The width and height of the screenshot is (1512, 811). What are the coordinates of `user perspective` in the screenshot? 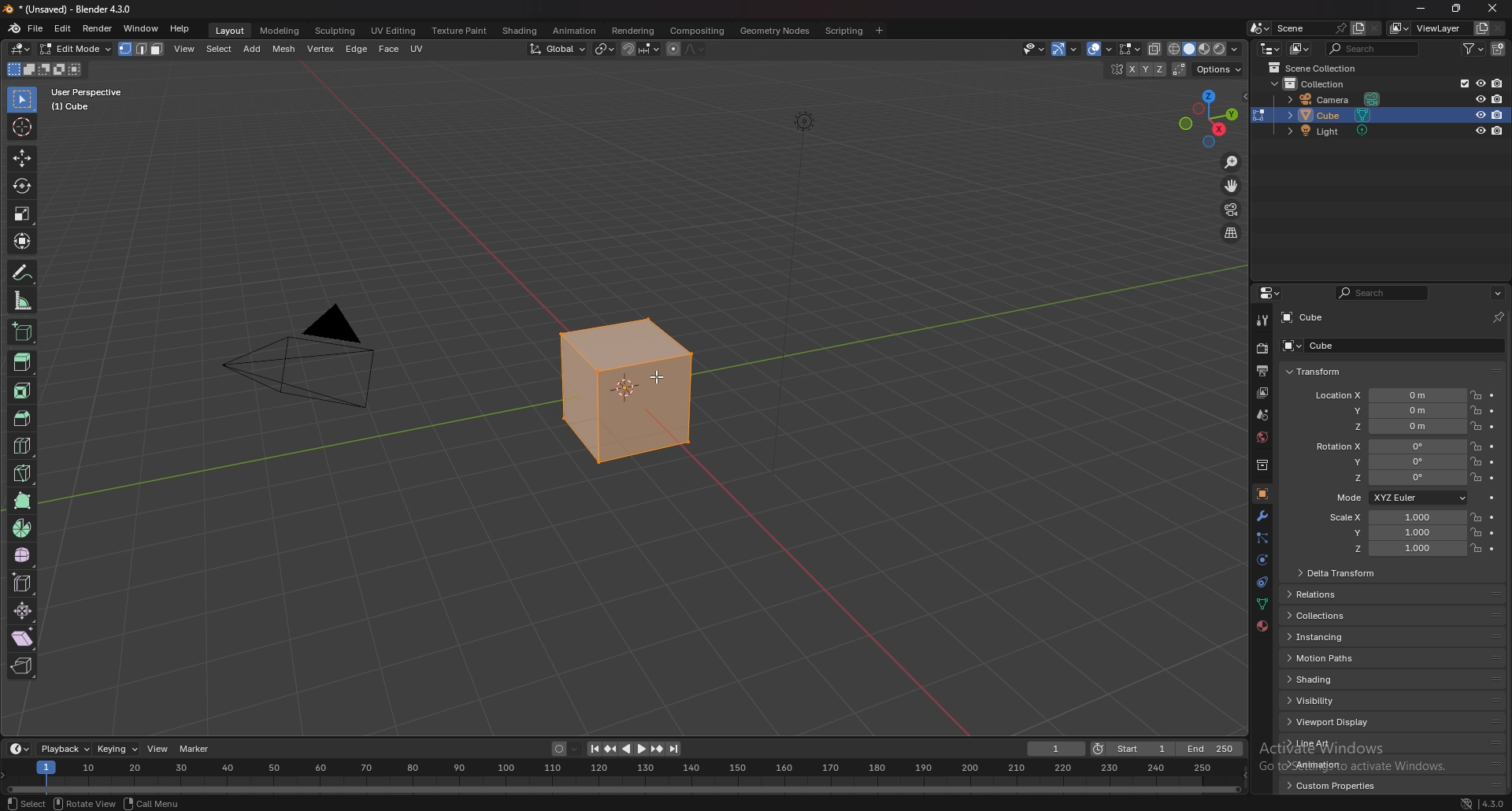 It's located at (91, 99).